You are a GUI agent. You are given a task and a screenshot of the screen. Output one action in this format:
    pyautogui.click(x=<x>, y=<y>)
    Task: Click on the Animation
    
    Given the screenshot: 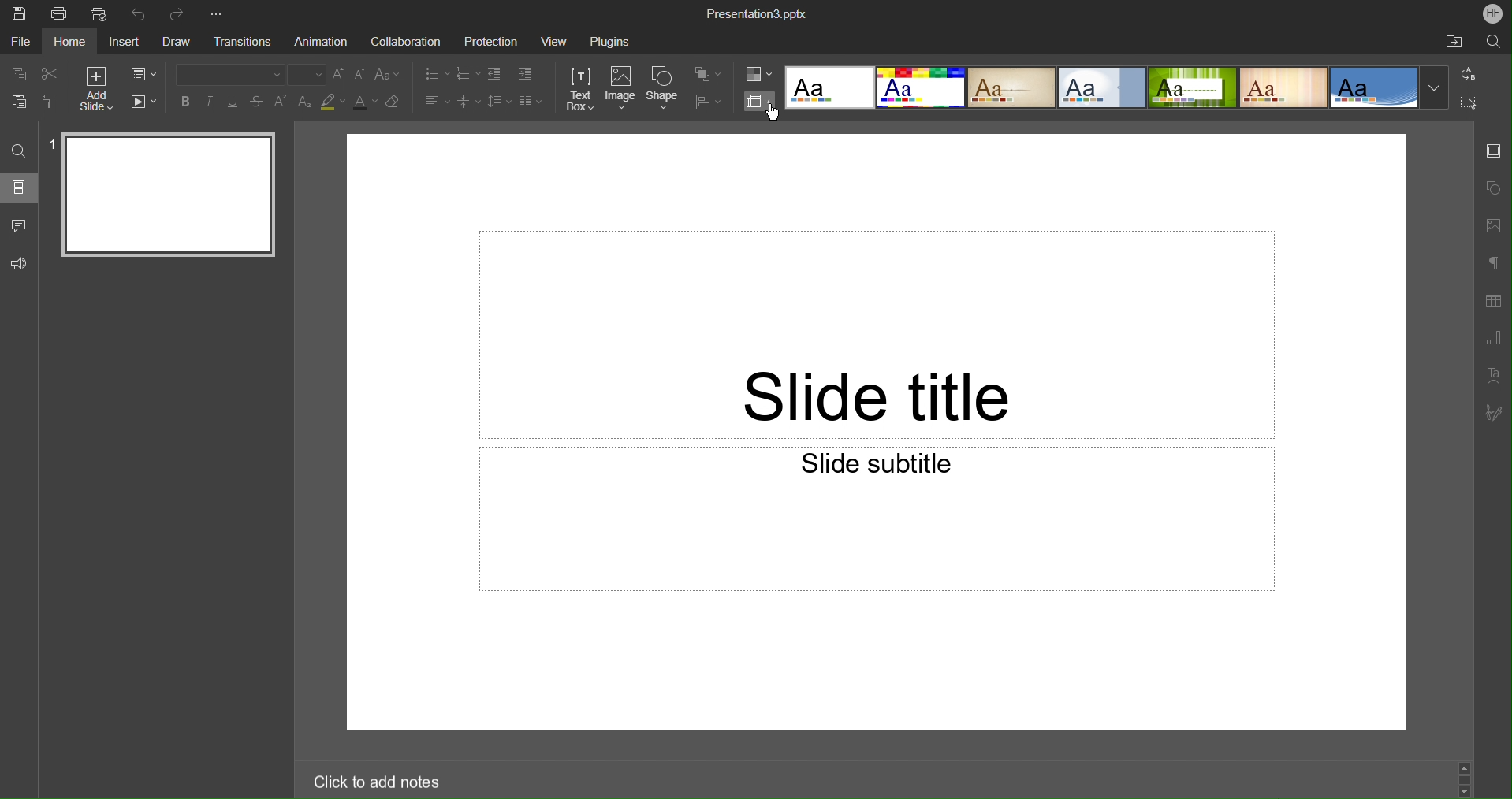 What is the action you would take?
    pyautogui.click(x=323, y=42)
    